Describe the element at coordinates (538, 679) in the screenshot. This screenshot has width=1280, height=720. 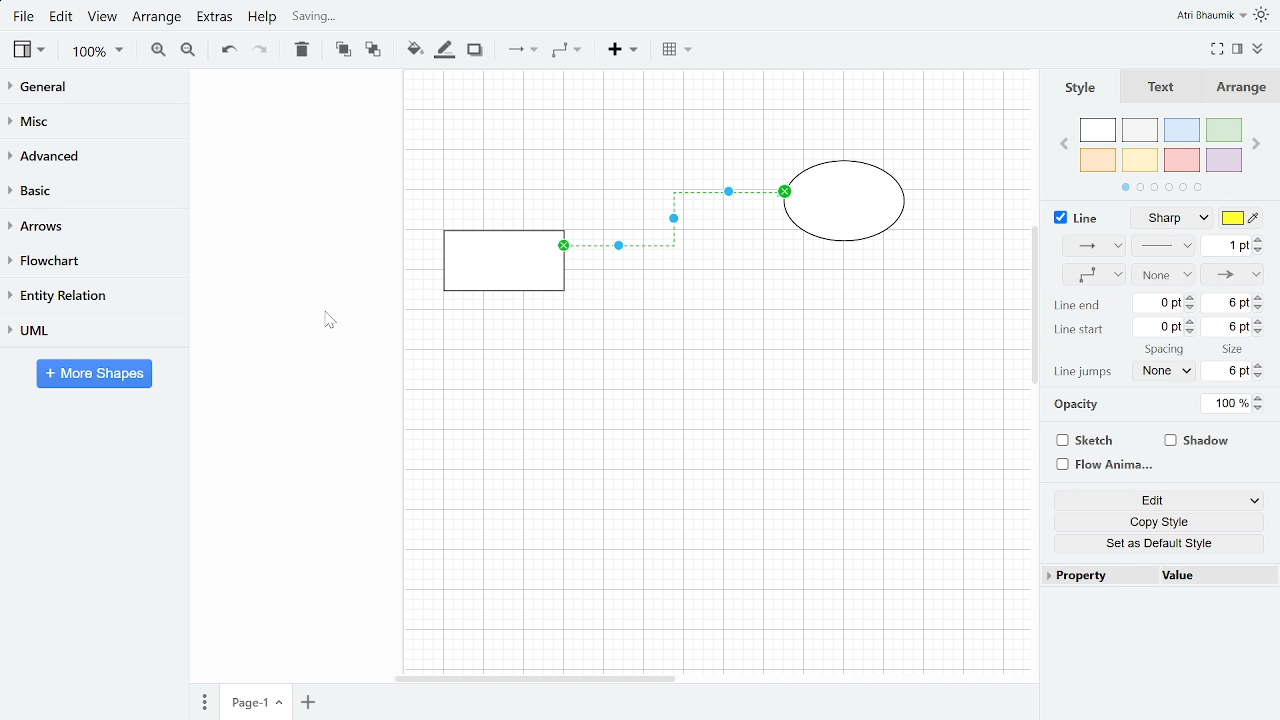
I see `Horizontal scrollbar` at that location.